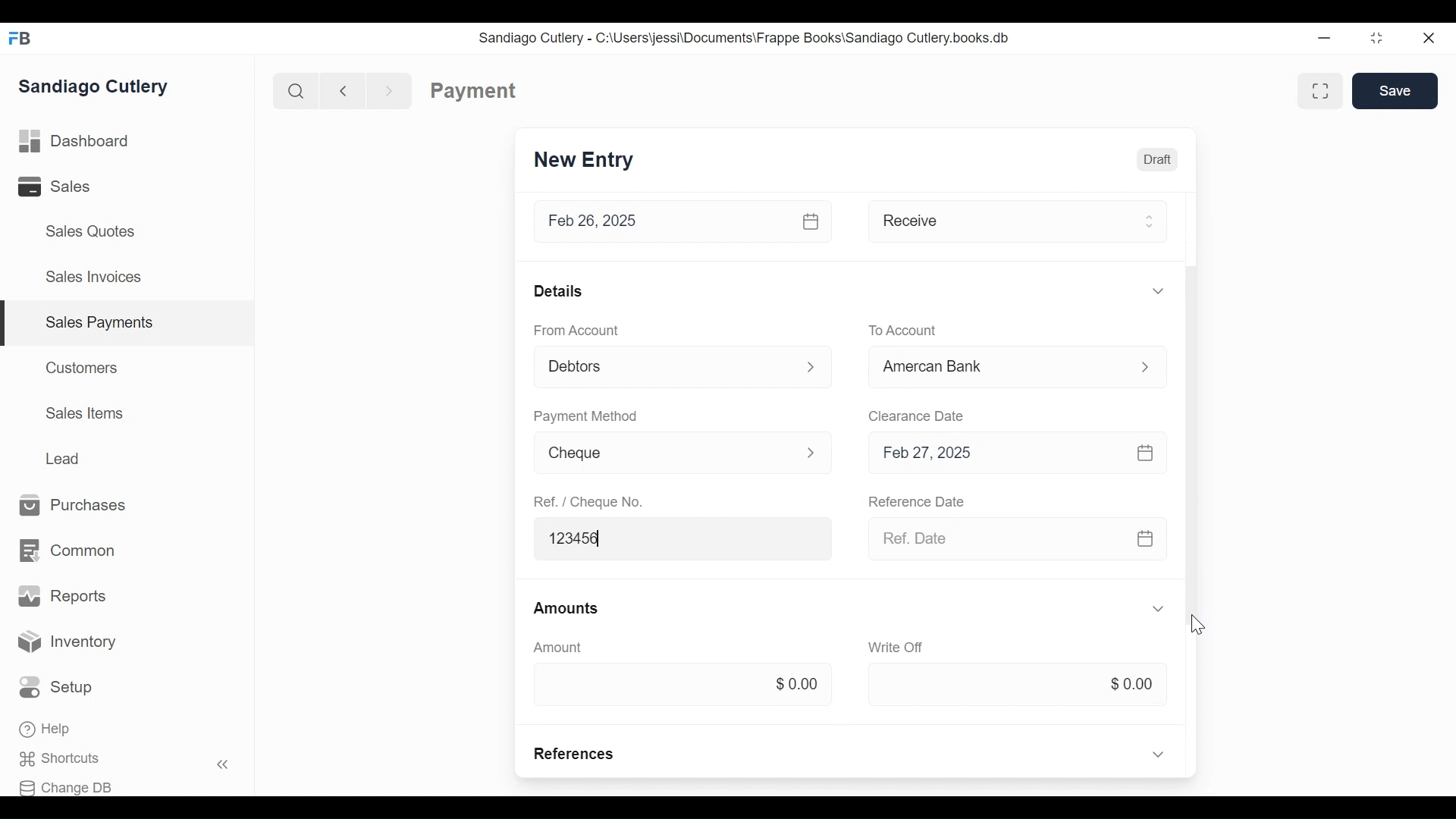  What do you see at coordinates (744, 37) in the screenshot?
I see `Sandiago Cutlery - C:\Users\jessi\Documents\Frappe Books\Sandiago Cutlery.books.db` at bounding box center [744, 37].